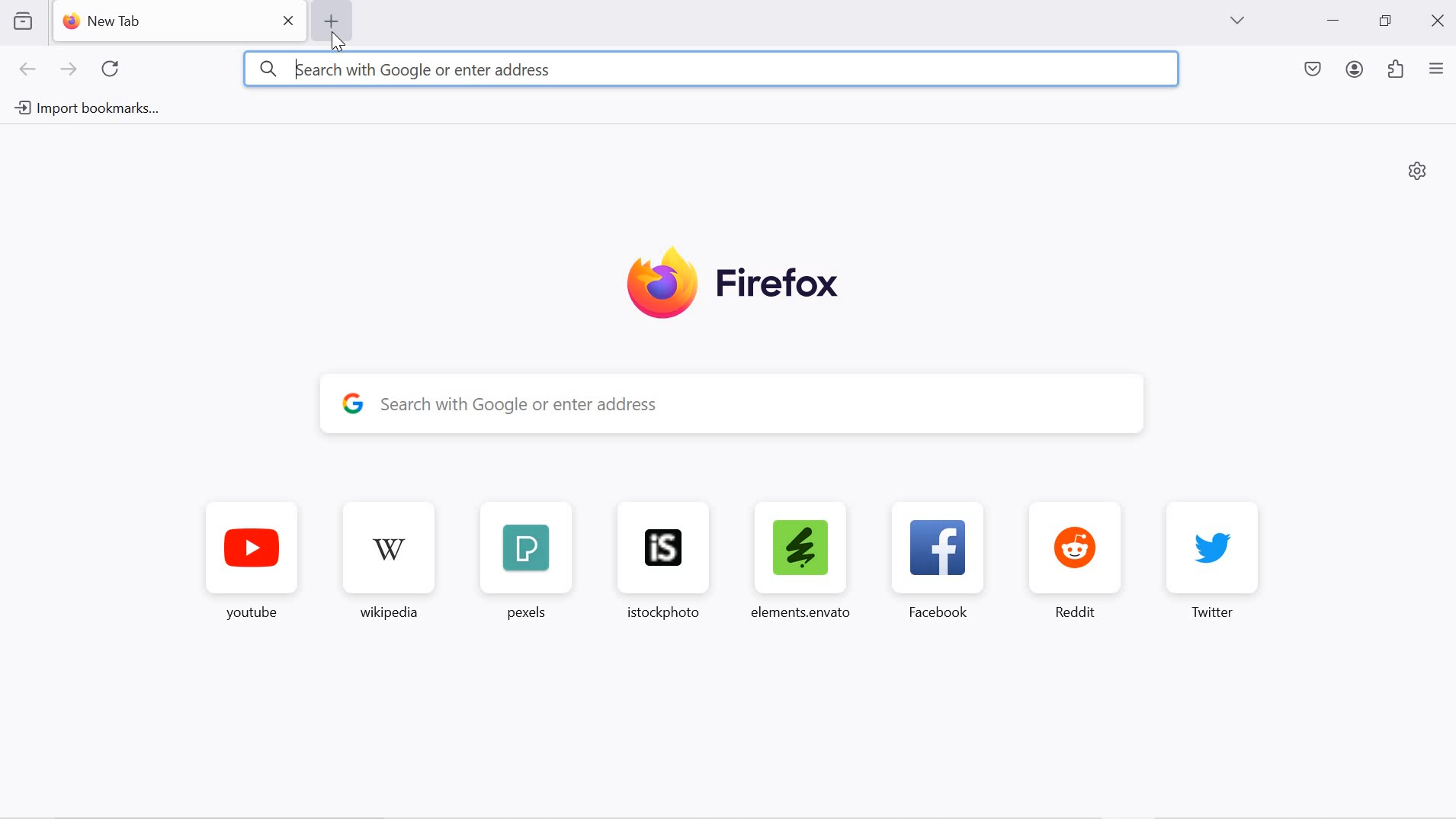 This screenshot has height=819, width=1456. I want to click on new tab, so click(102, 21).